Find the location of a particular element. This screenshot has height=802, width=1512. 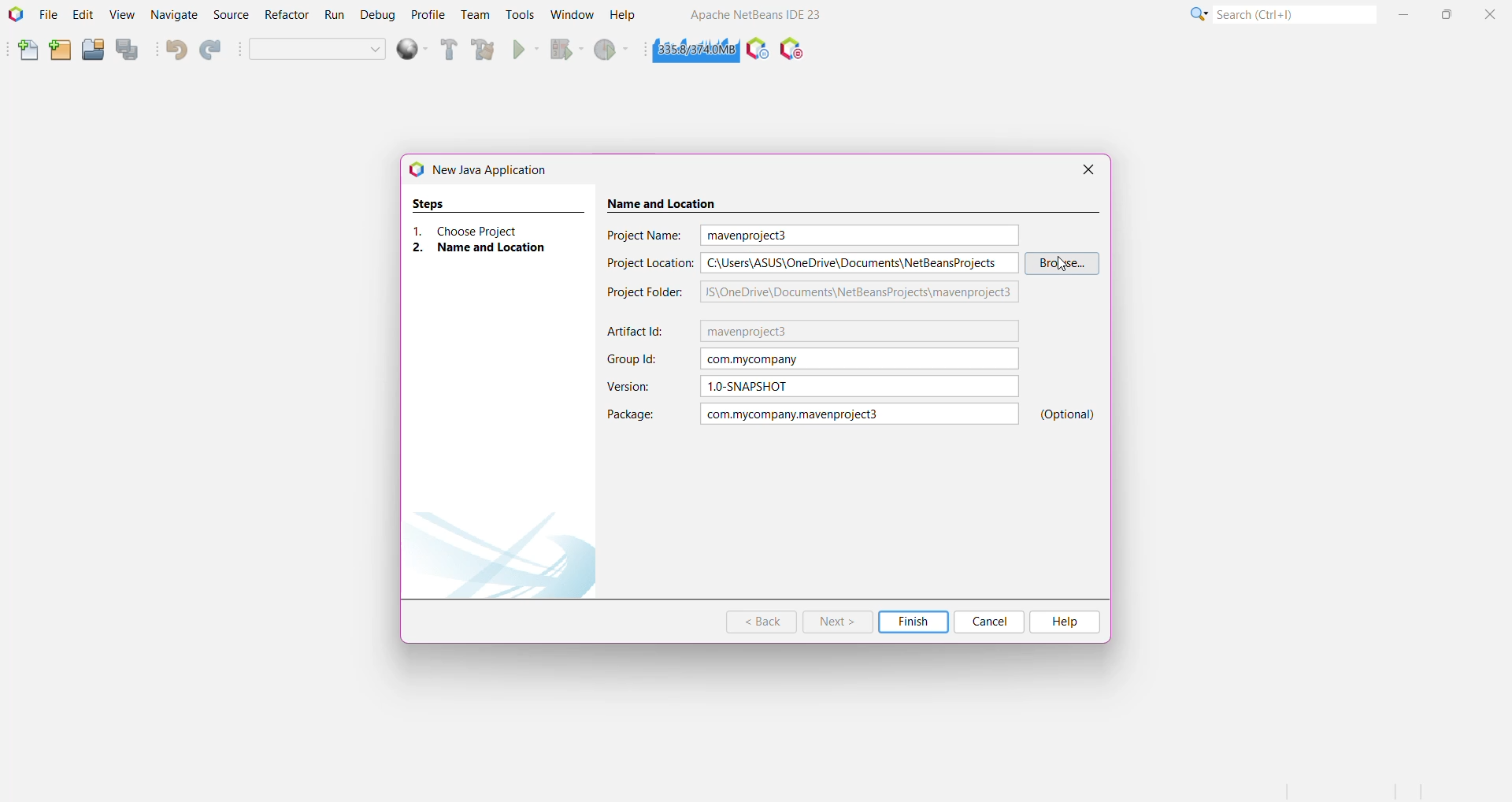

Group Id is located at coordinates (636, 359).